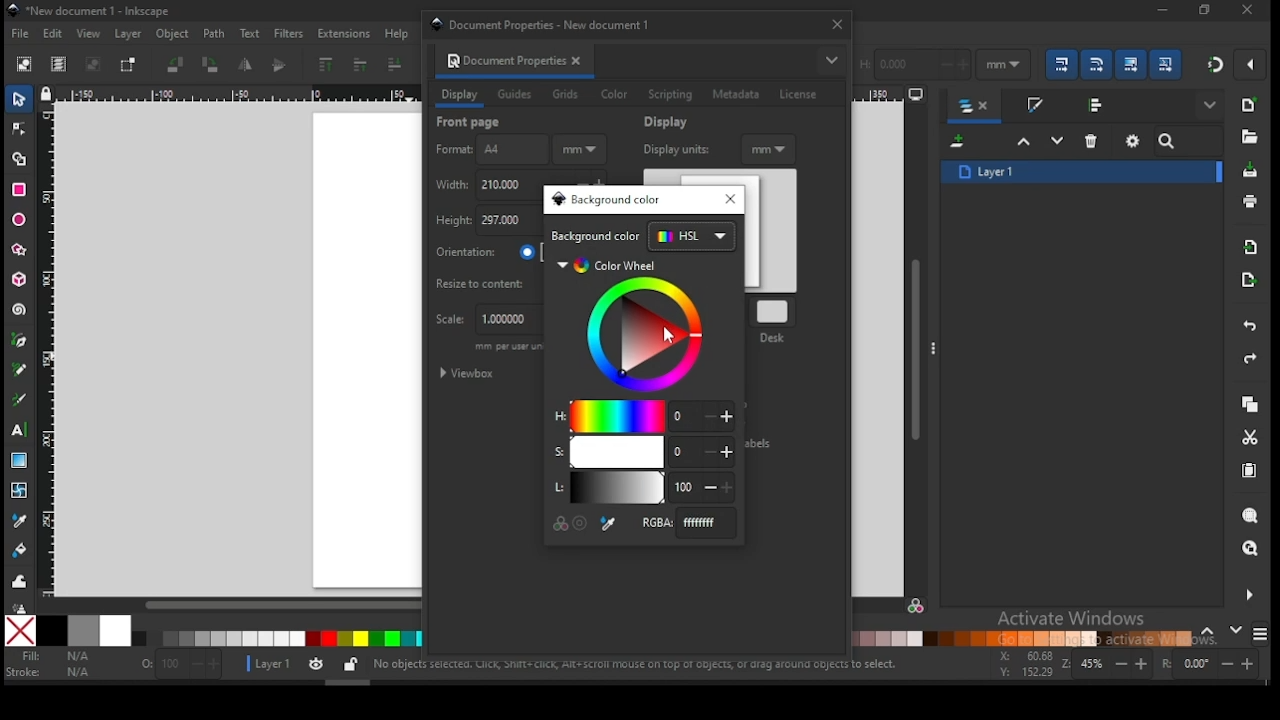  I want to click on layer, so click(128, 34).